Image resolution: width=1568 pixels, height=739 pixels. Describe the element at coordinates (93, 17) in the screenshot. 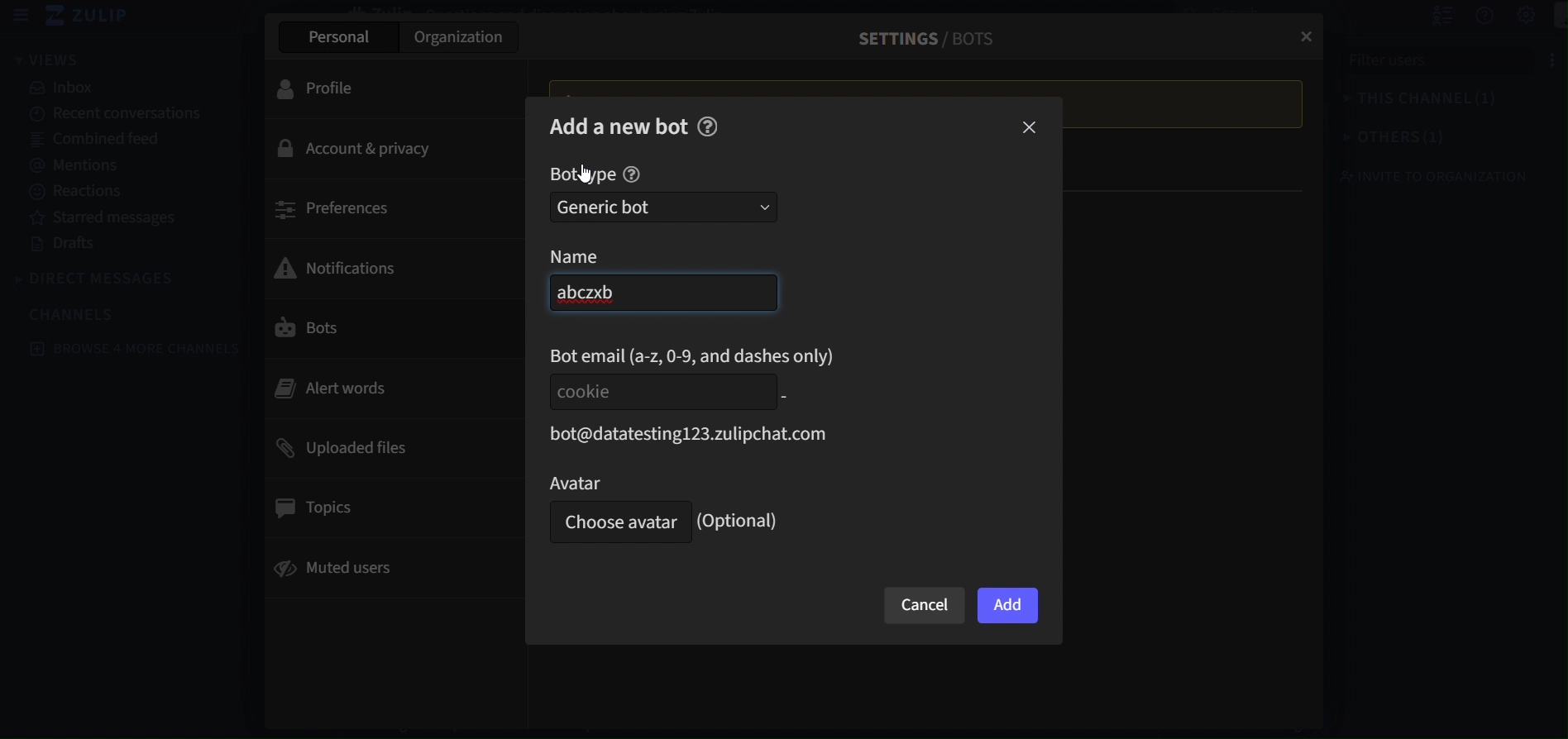

I see `zulip` at that location.